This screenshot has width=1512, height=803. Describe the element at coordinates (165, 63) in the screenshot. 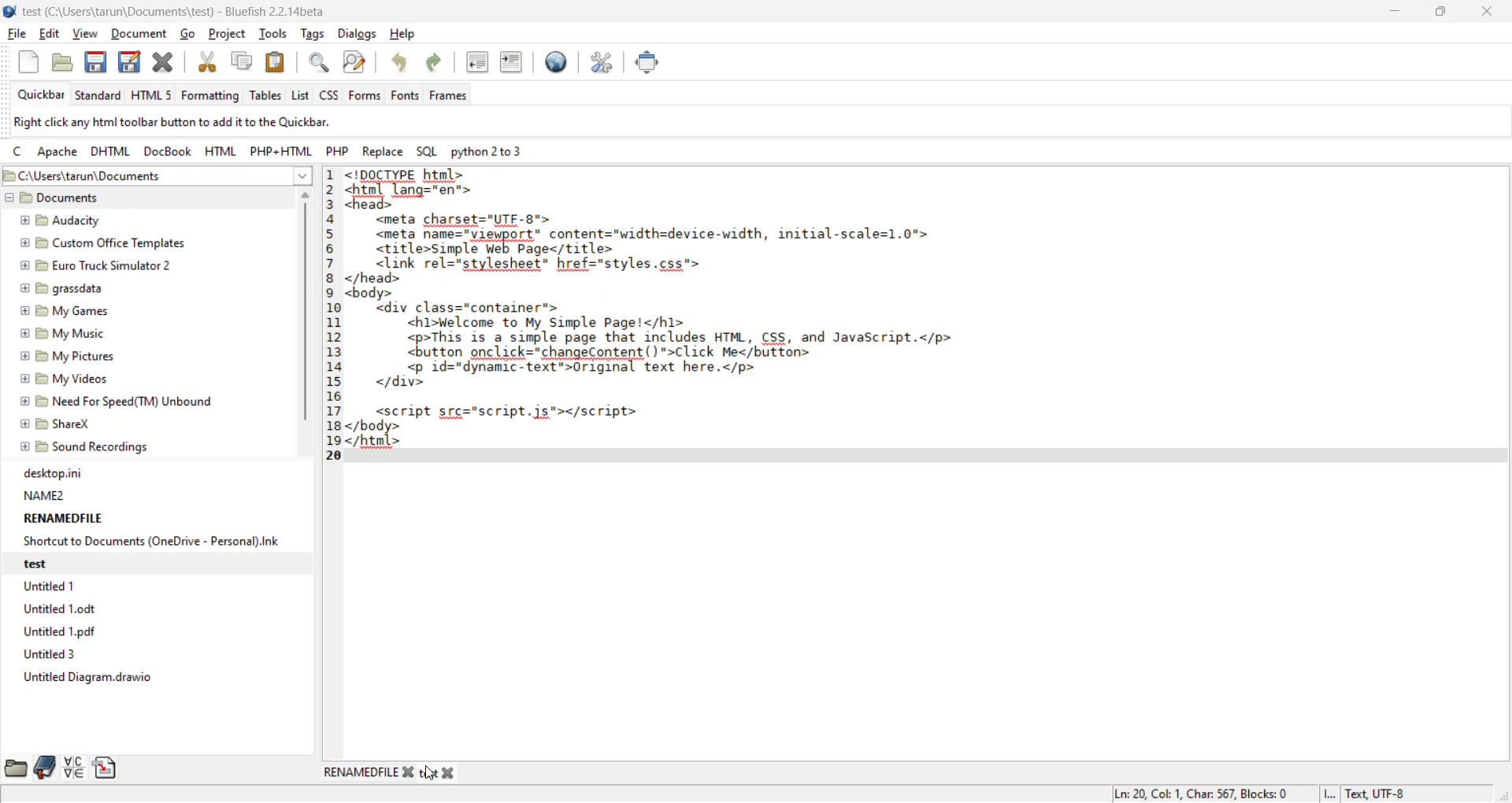

I see `close file` at that location.